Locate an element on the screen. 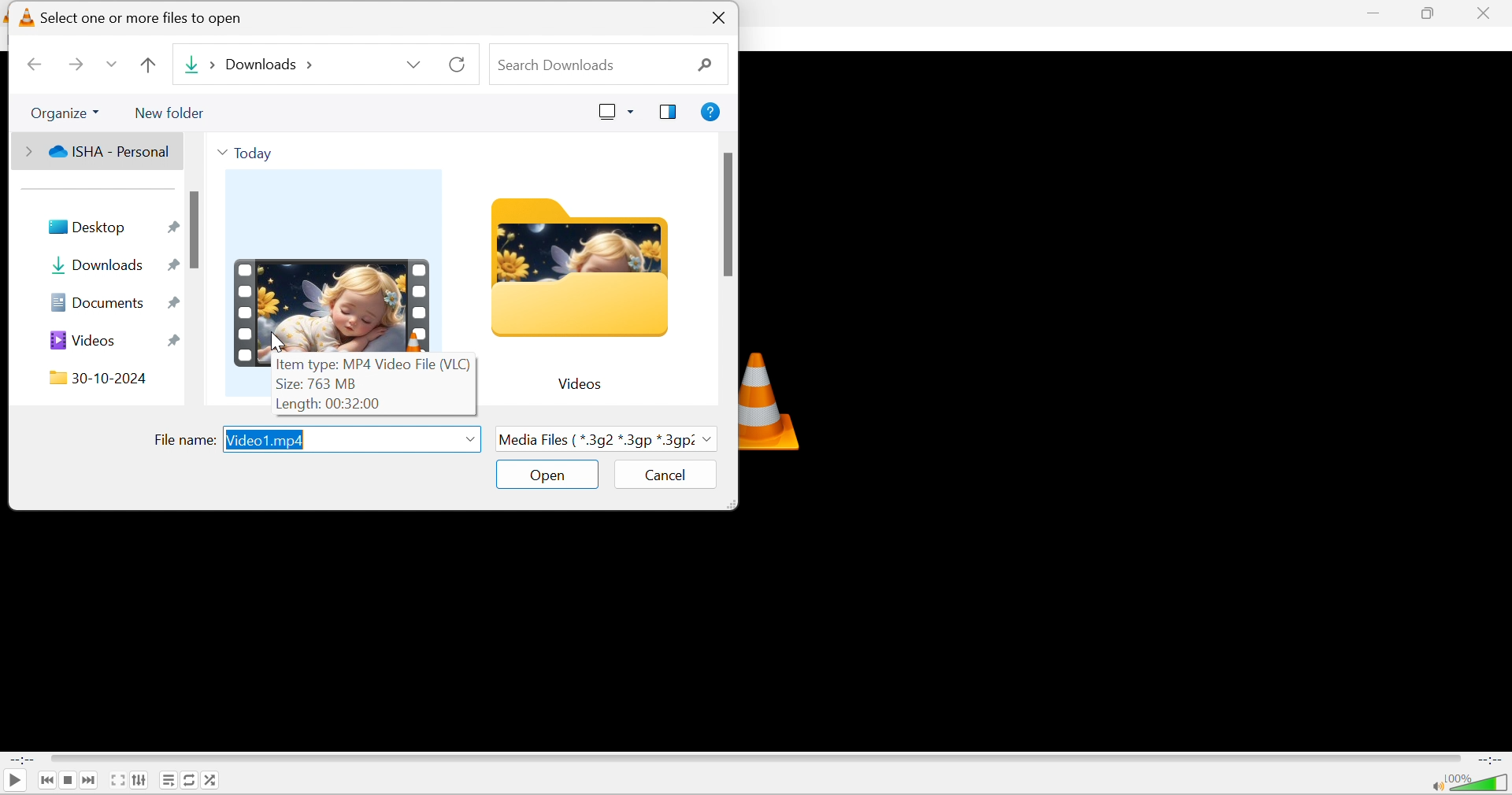 The image size is (1512, 795). Random is located at coordinates (212, 779).